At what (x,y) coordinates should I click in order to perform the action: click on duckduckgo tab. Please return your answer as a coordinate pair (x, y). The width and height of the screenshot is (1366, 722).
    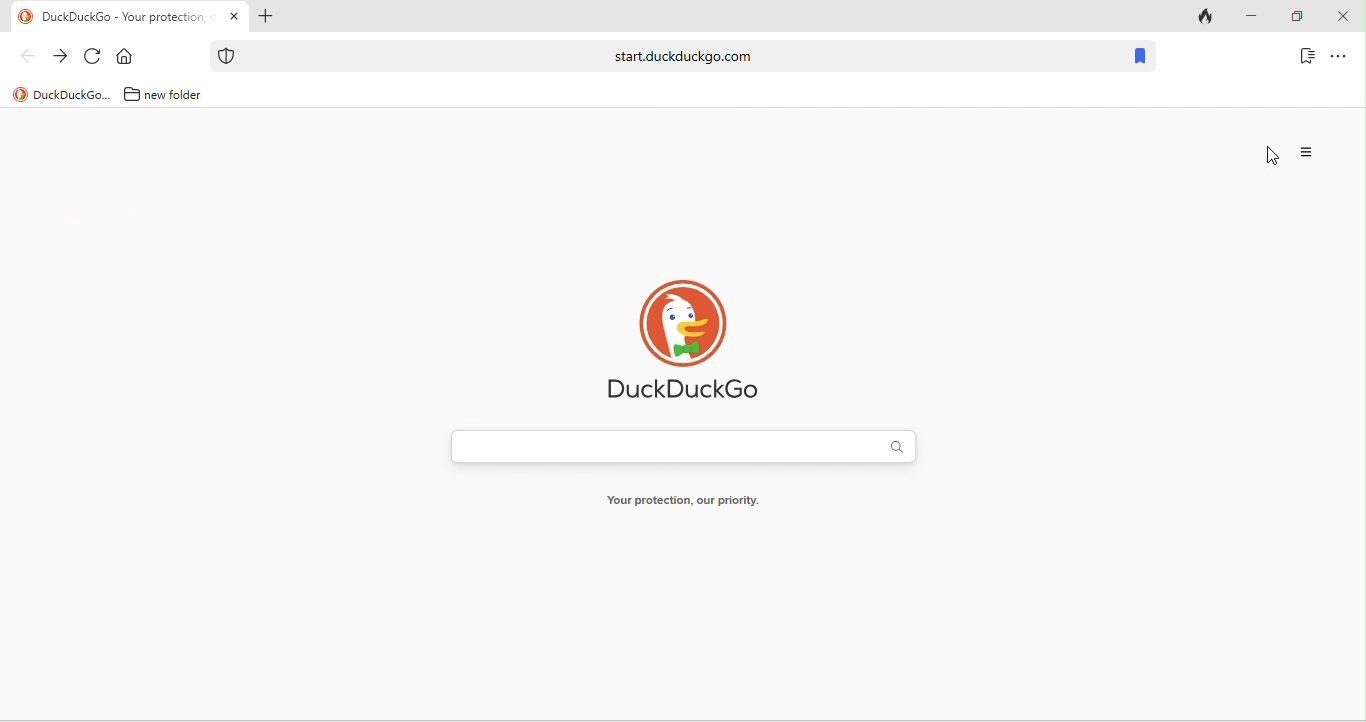
    Looking at the image, I should click on (117, 16).